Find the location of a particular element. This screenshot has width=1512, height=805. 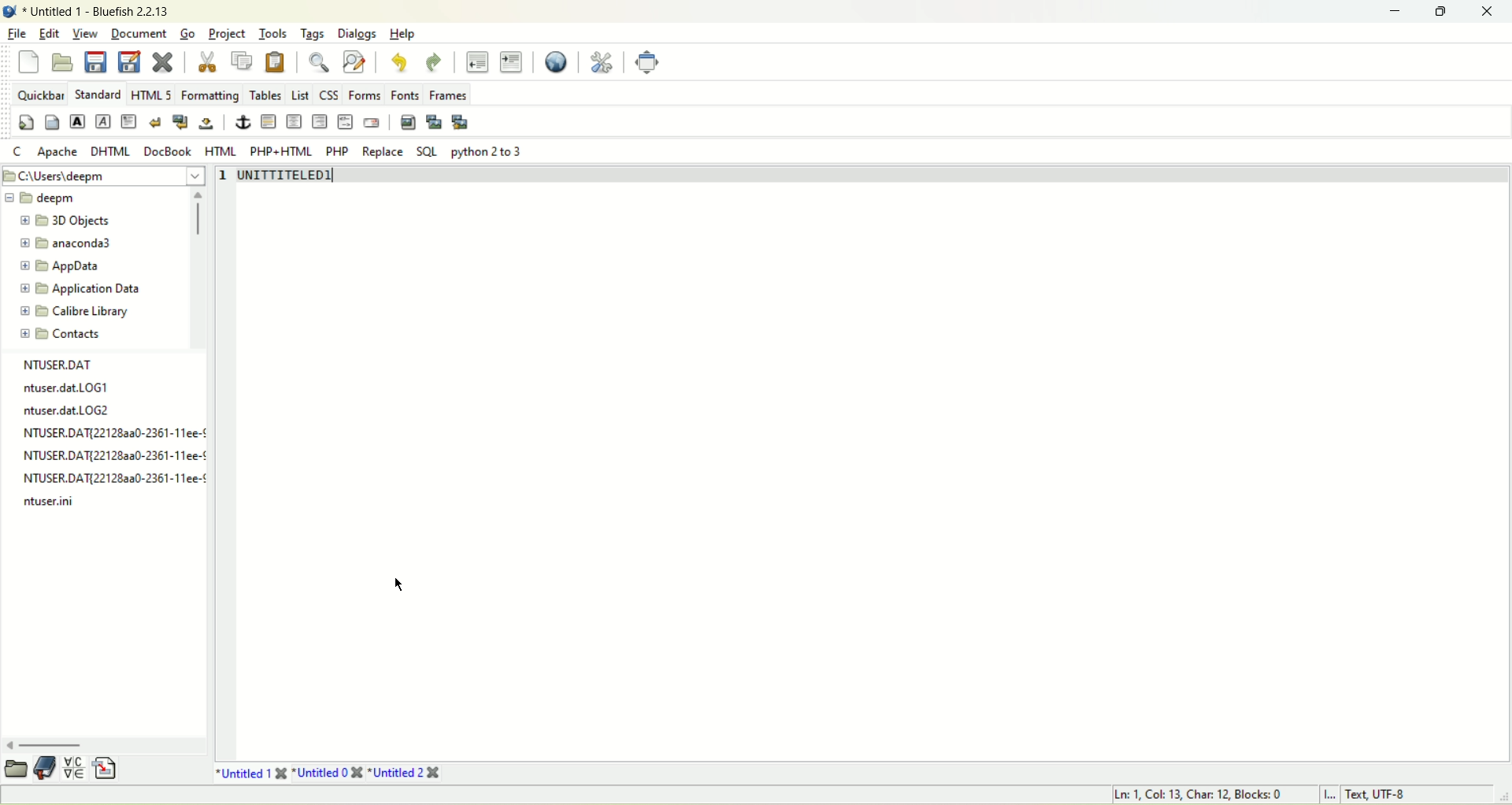

file  is located at coordinates (13, 33).